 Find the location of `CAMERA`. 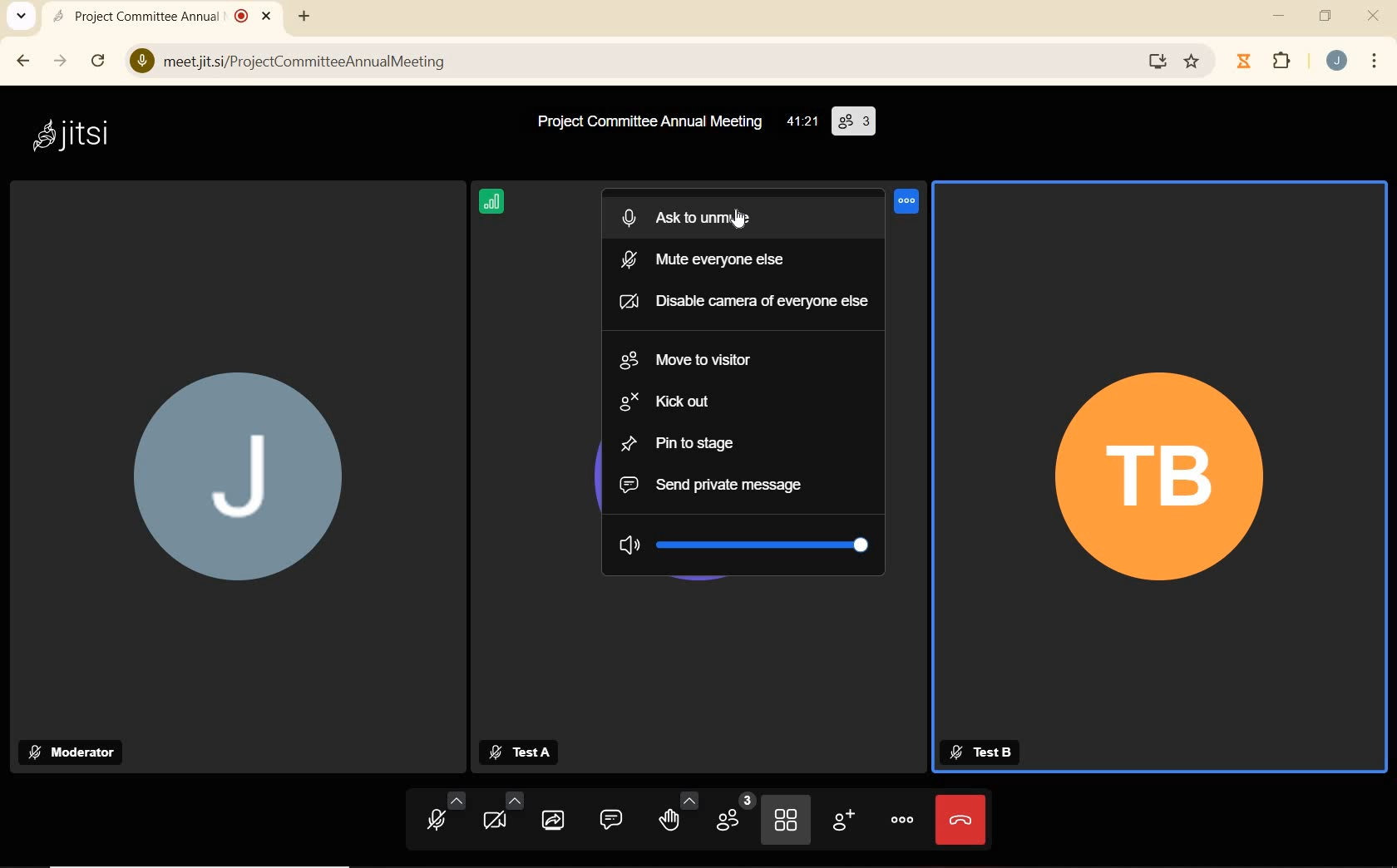

CAMERA is located at coordinates (502, 812).